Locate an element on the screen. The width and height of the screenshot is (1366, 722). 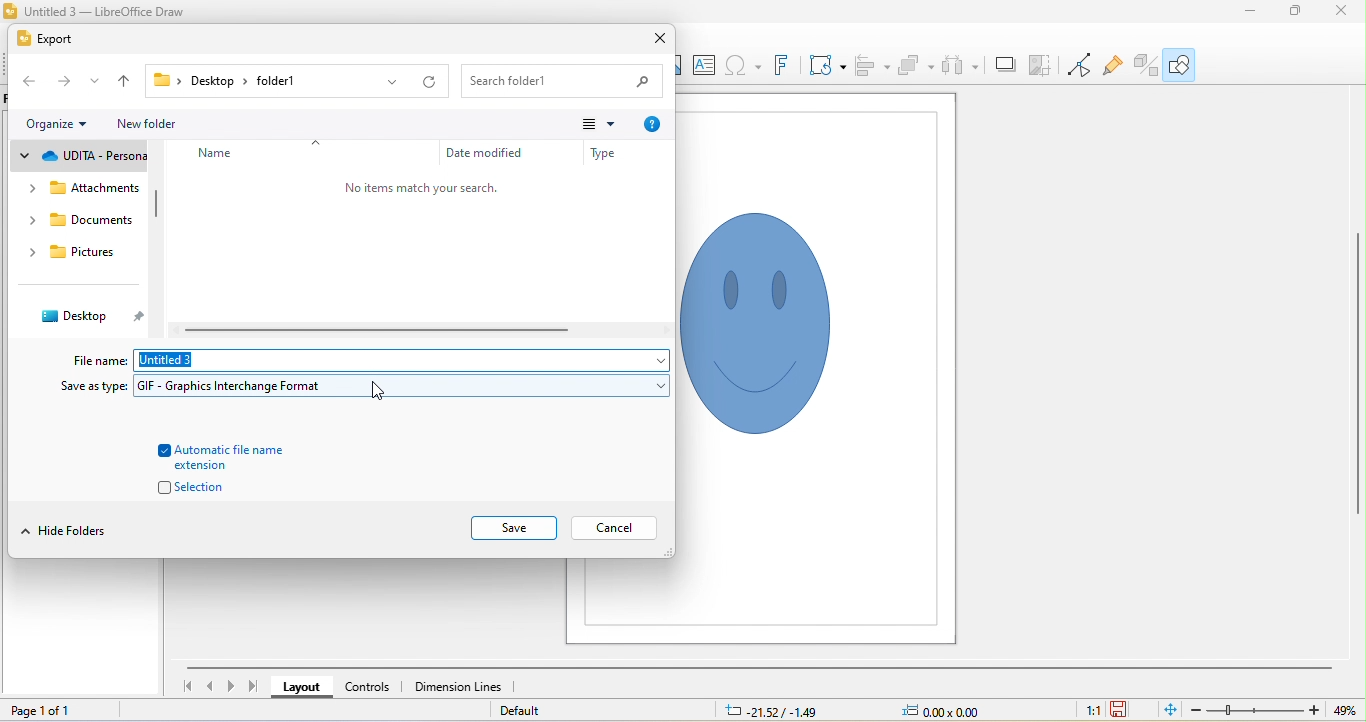
hide folders is located at coordinates (84, 530).